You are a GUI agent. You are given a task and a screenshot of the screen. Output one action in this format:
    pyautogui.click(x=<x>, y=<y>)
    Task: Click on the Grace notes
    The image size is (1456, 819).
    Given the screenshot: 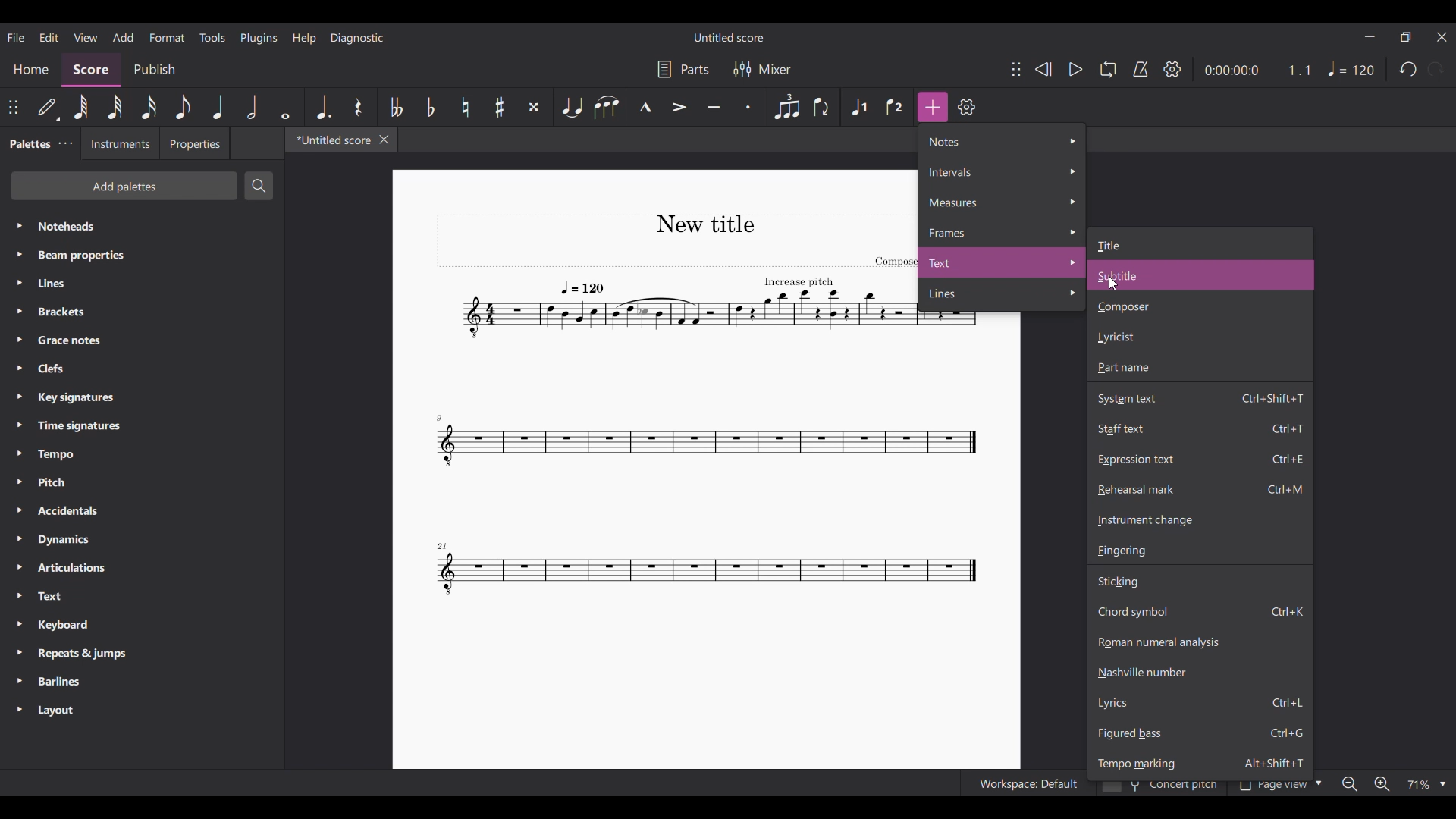 What is the action you would take?
    pyautogui.click(x=141, y=340)
    